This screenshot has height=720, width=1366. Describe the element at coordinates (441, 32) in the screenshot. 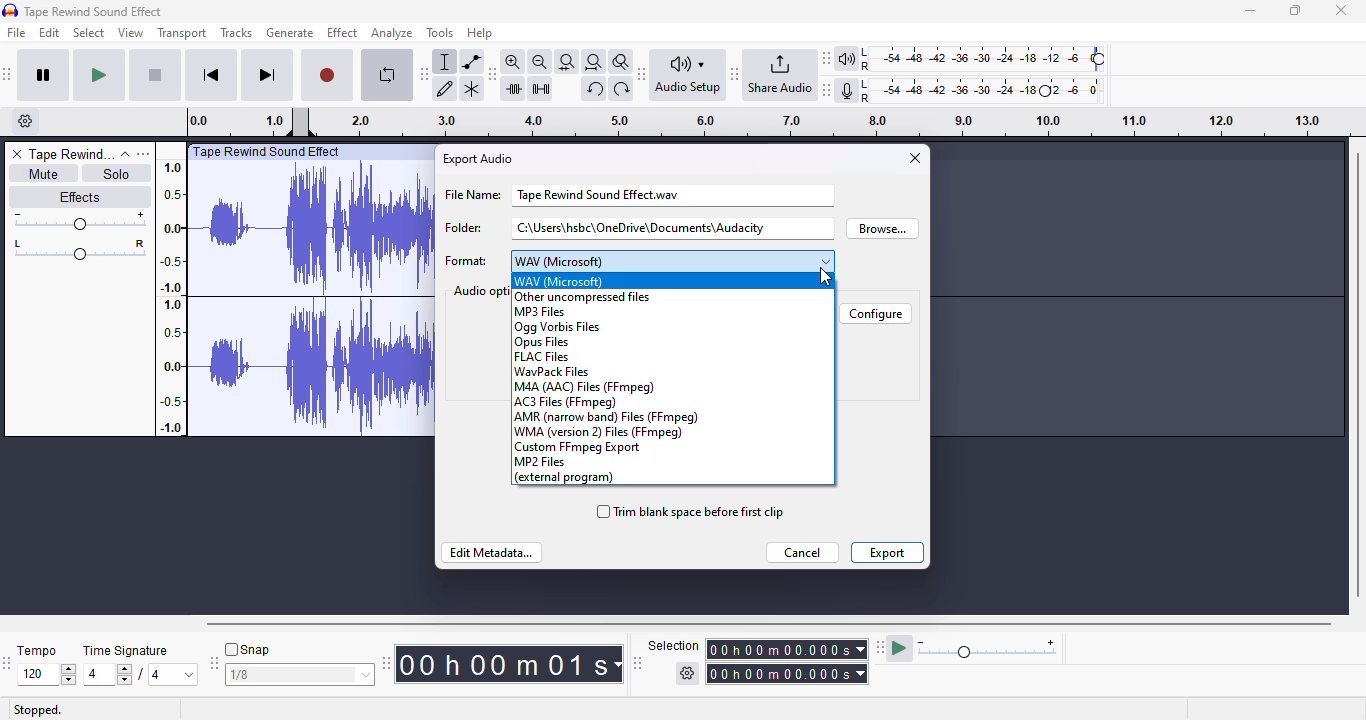

I see `tools` at that location.